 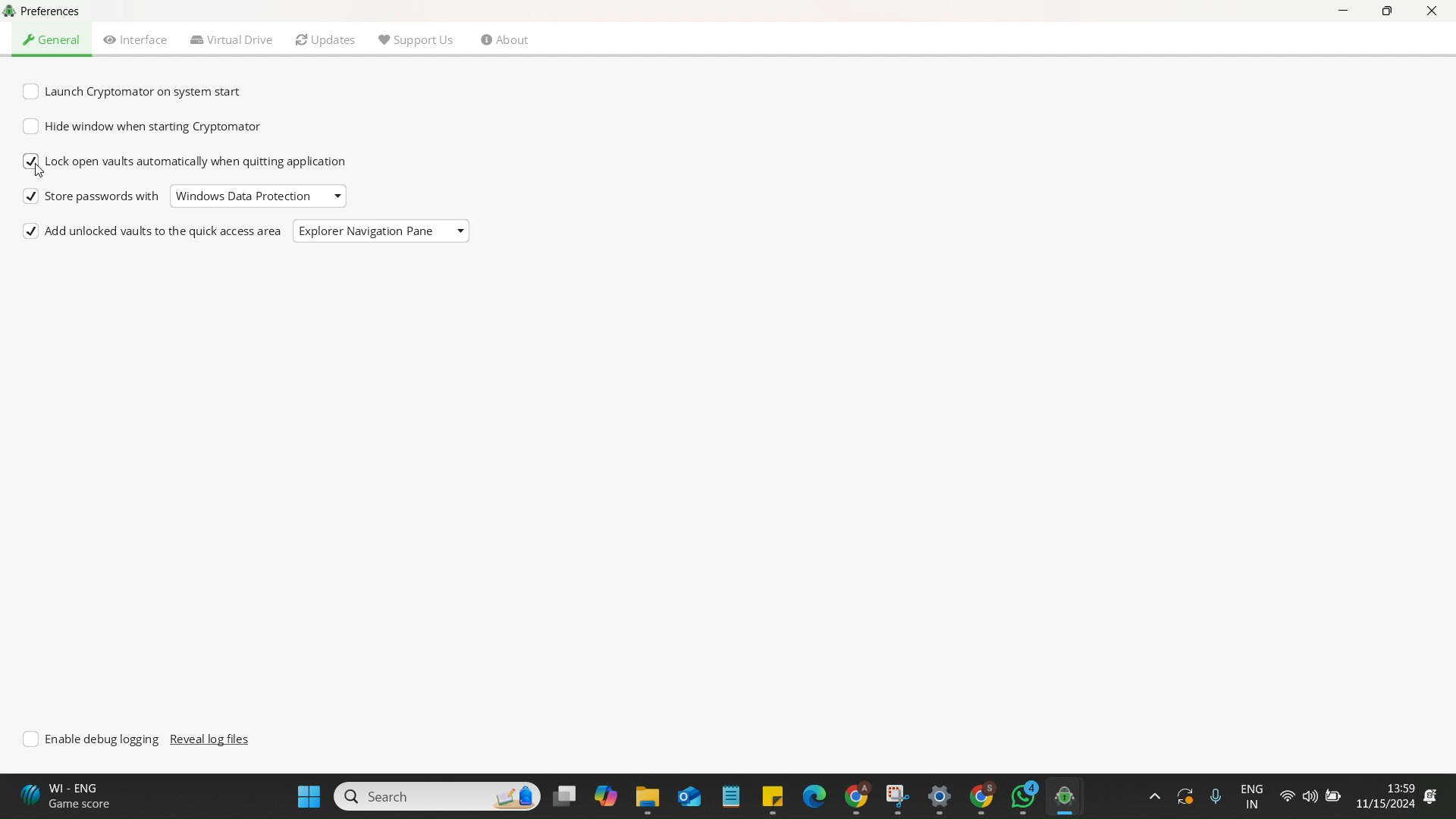 I want to click on Settings, so click(x=936, y=799).